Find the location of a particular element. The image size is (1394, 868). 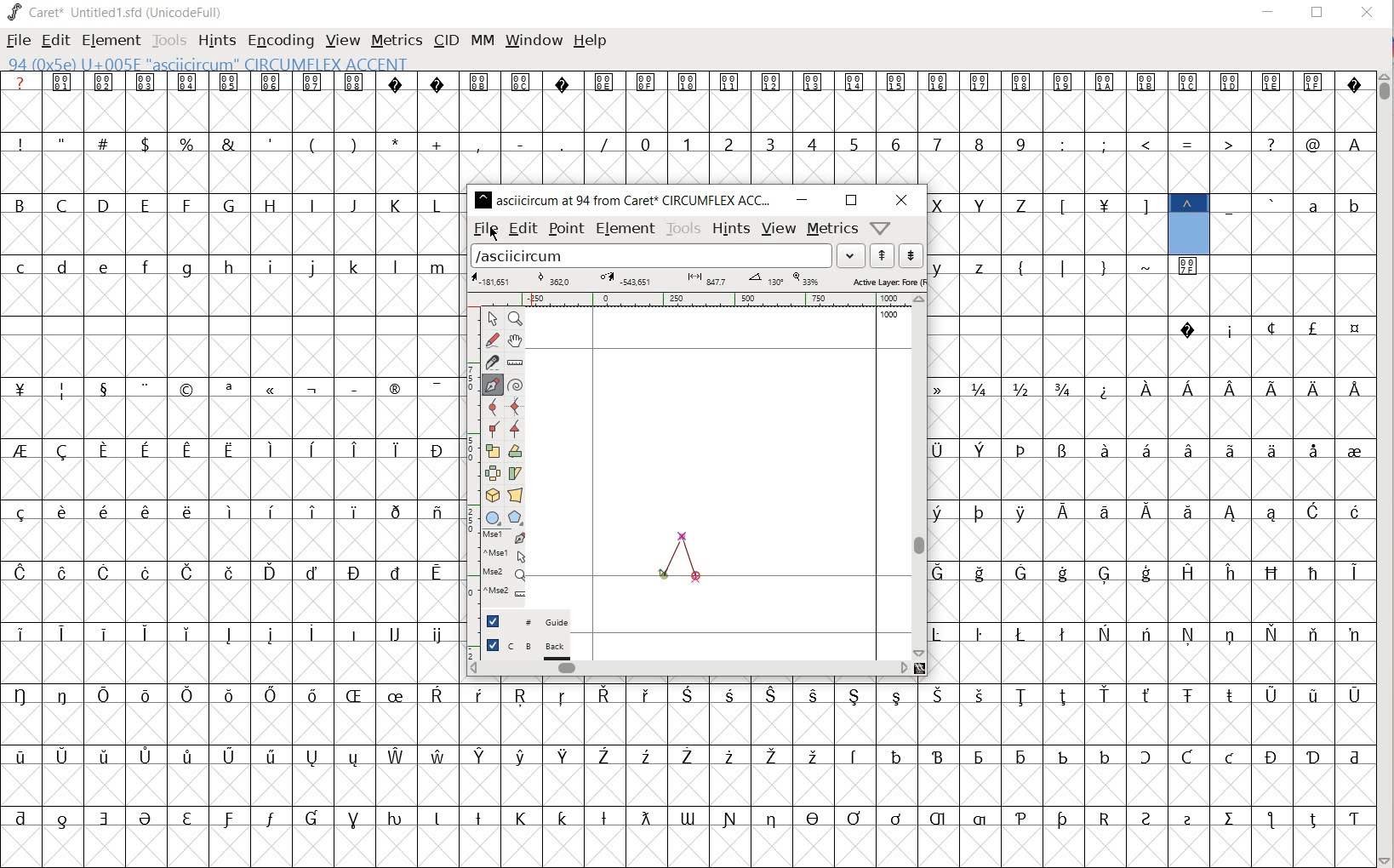

add a curve point always either horizontal or vertical is located at coordinates (515, 407).